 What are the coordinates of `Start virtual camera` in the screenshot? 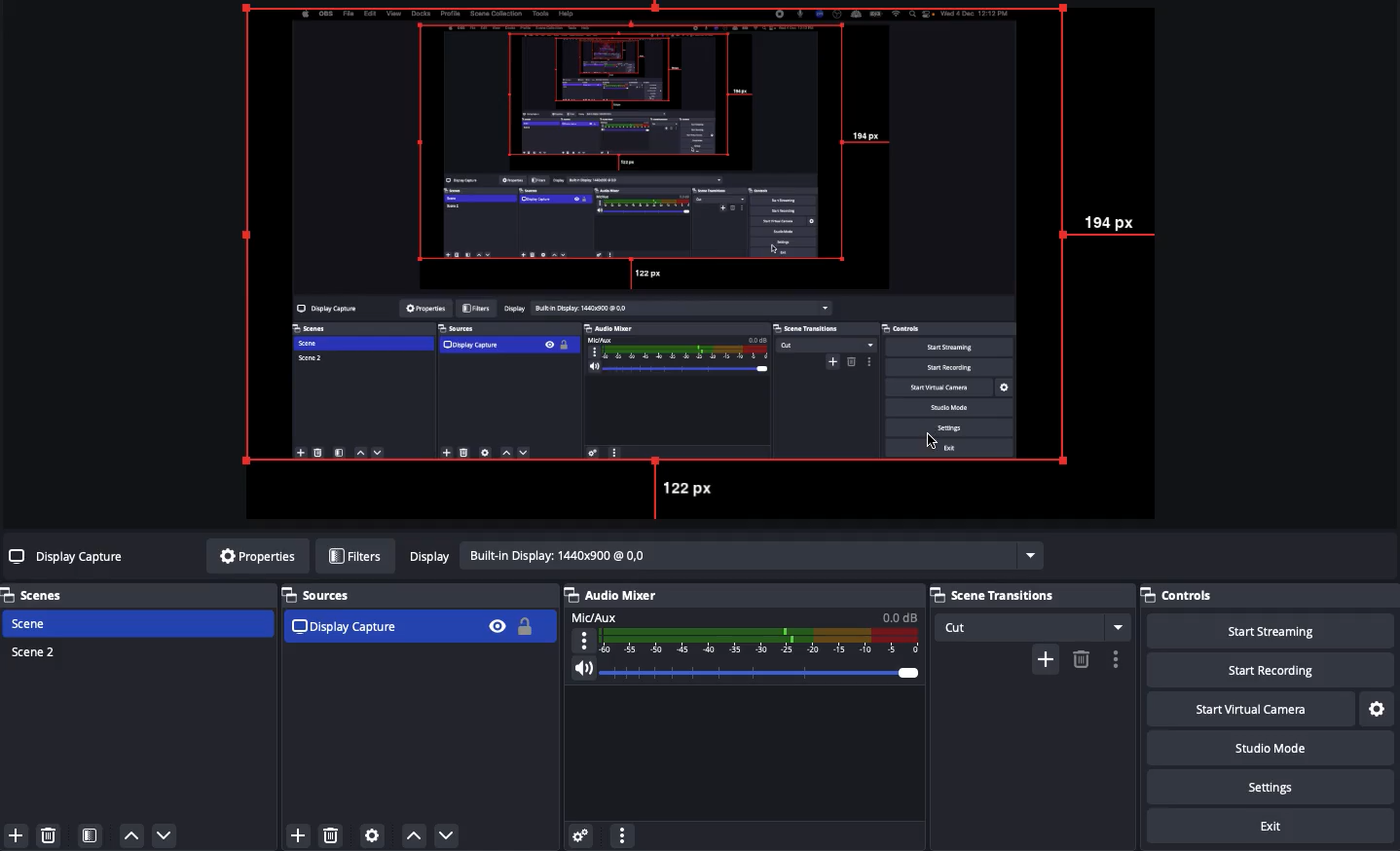 It's located at (1269, 708).